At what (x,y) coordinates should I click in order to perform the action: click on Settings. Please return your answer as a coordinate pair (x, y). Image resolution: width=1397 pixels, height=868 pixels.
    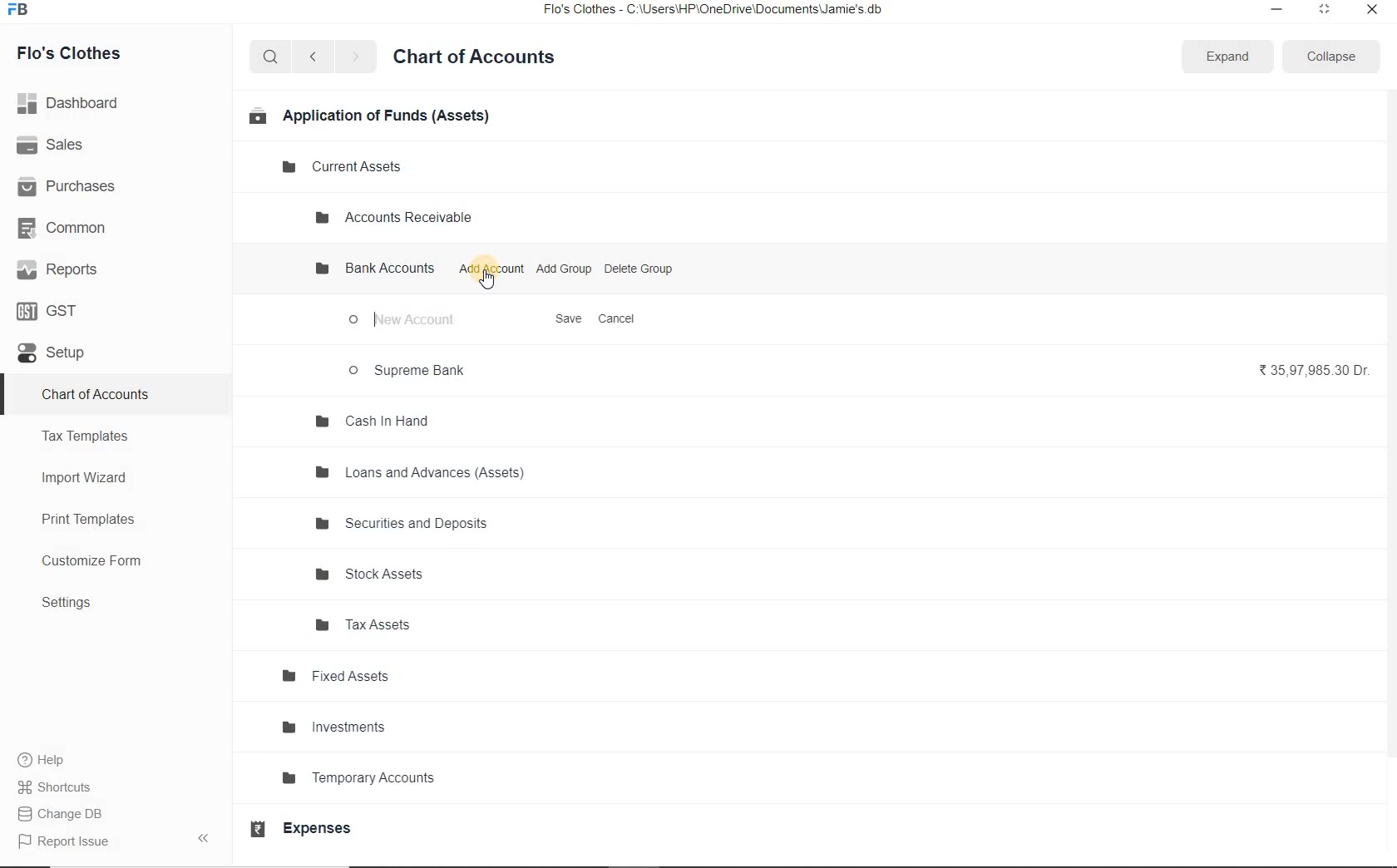
    Looking at the image, I should click on (113, 604).